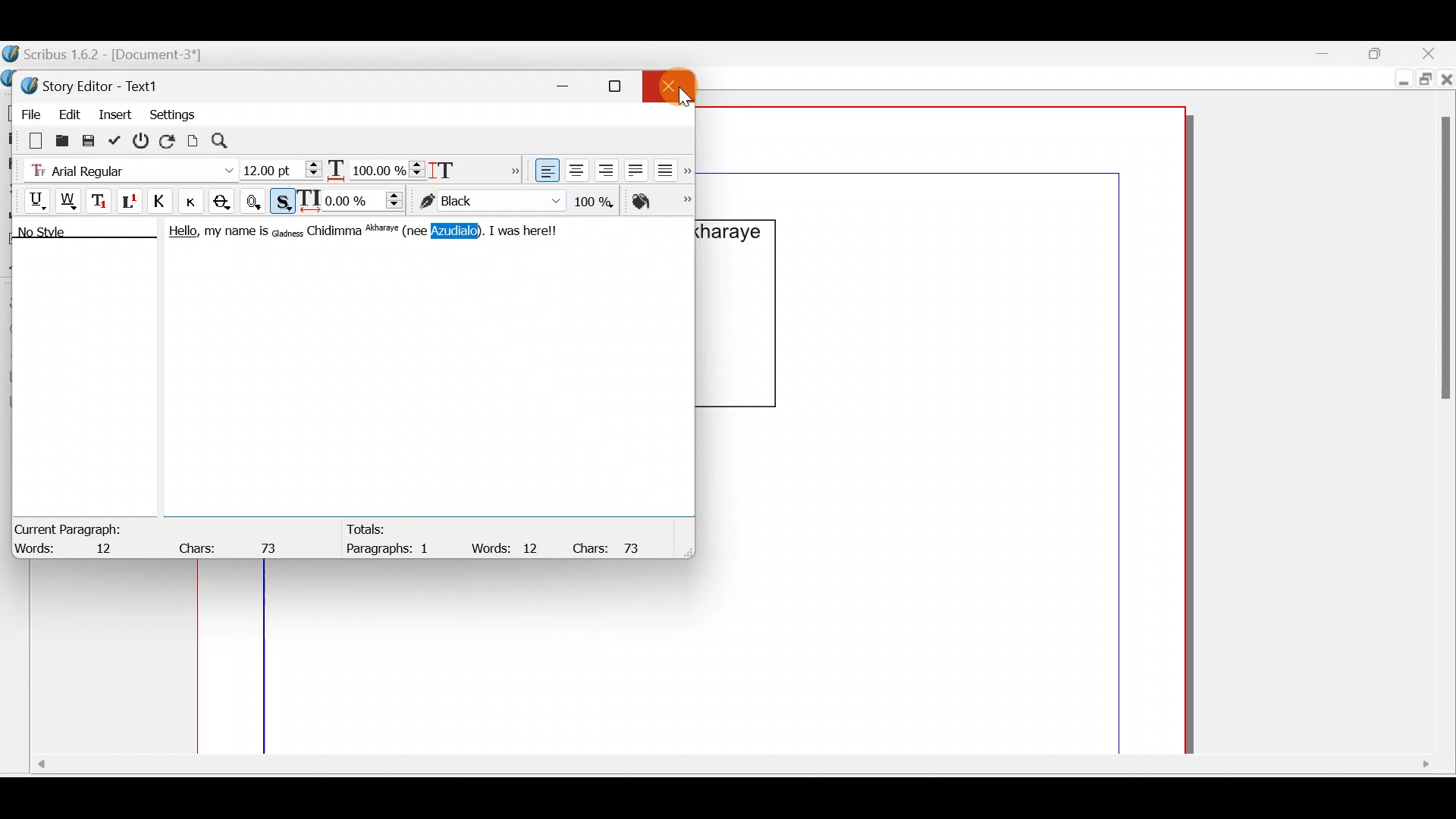 The image size is (1456, 819). Describe the element at coordinates (575, 168) in the screenshot. I see `Align text center` at that location.